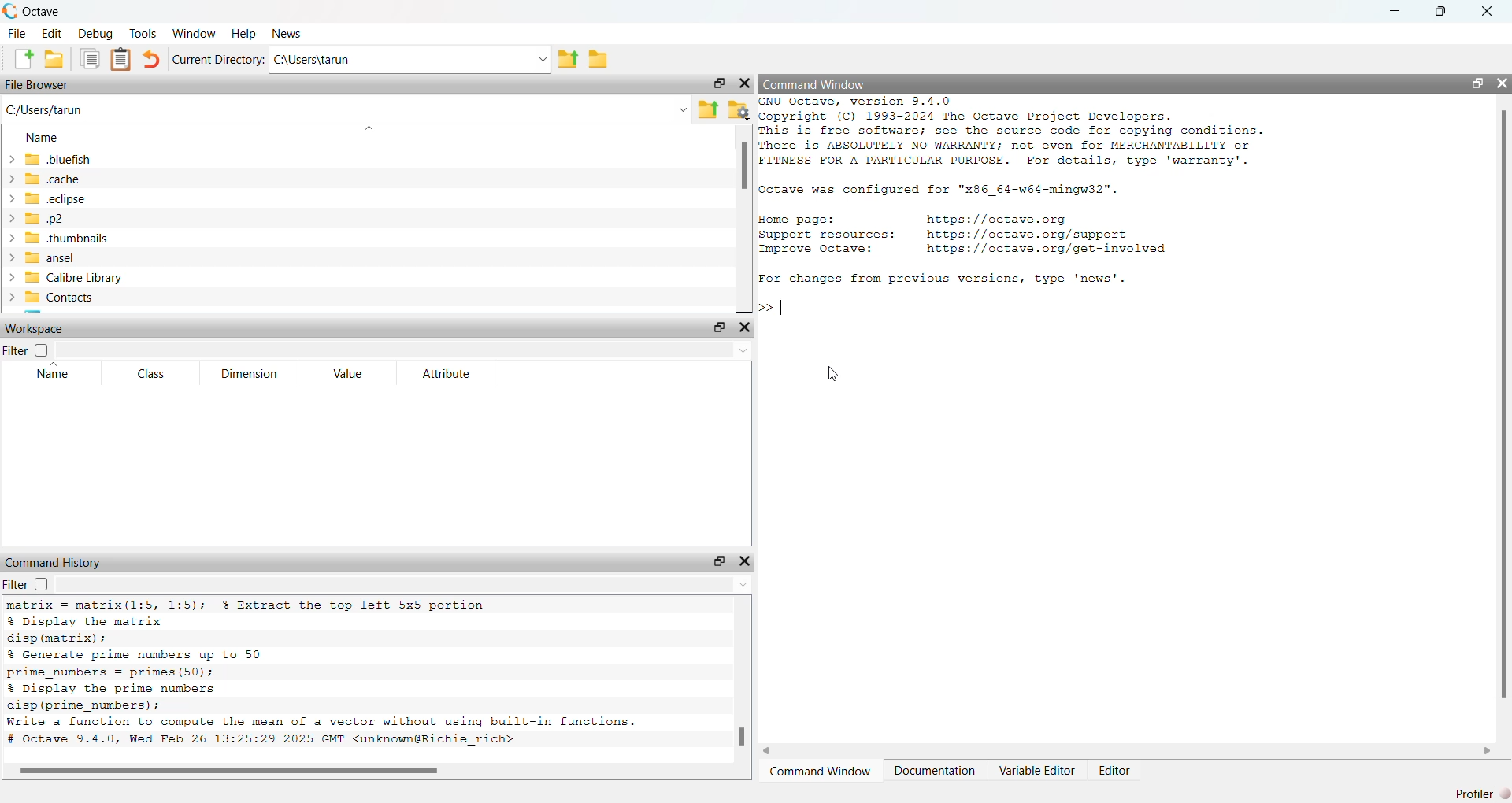 This screenshot has height=803, width=1512. Describe the element at coordinates (598, 60) in the screenshot. I see `folder` at that location.